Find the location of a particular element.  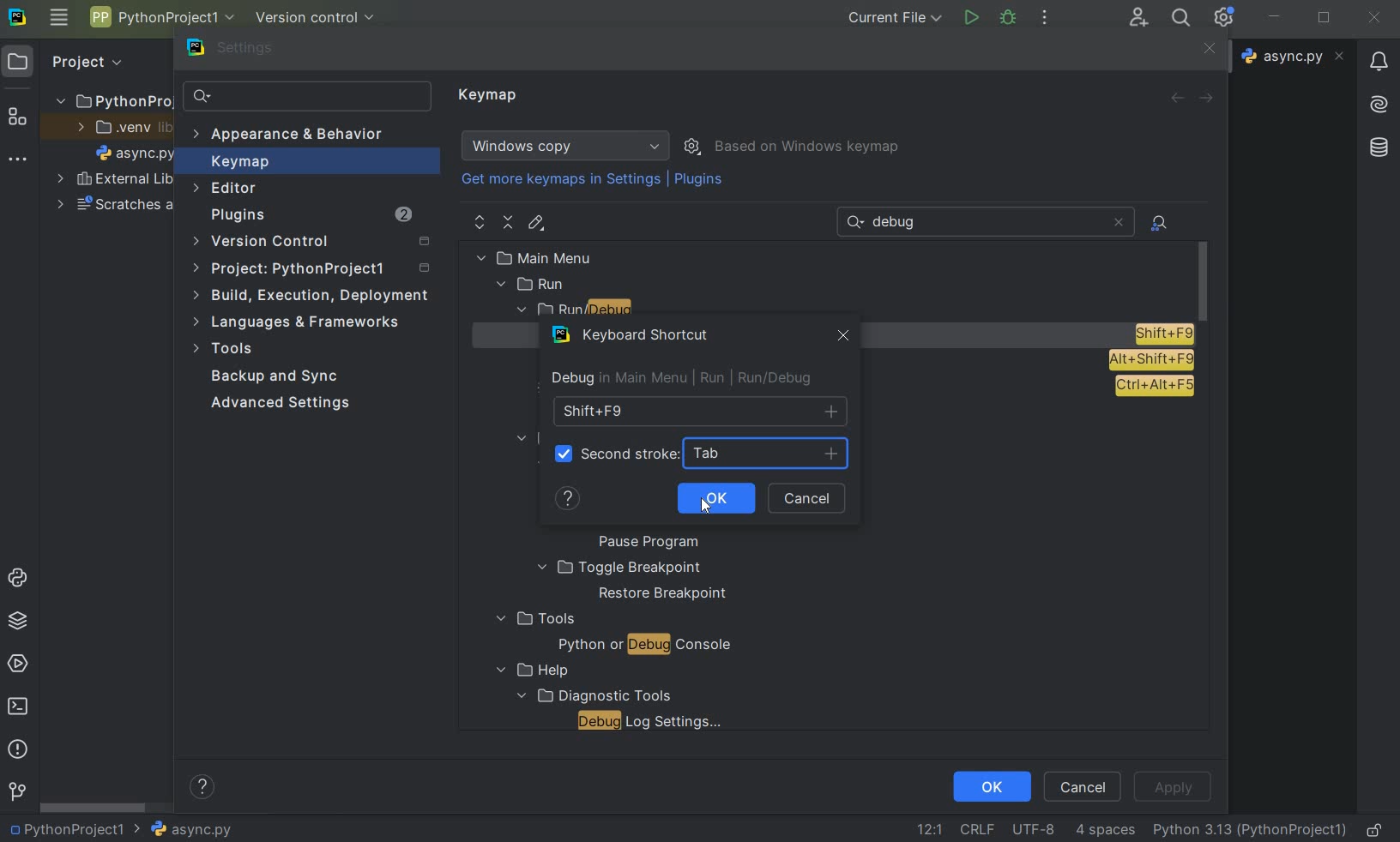

tab added is located at coordinates (775, 454).